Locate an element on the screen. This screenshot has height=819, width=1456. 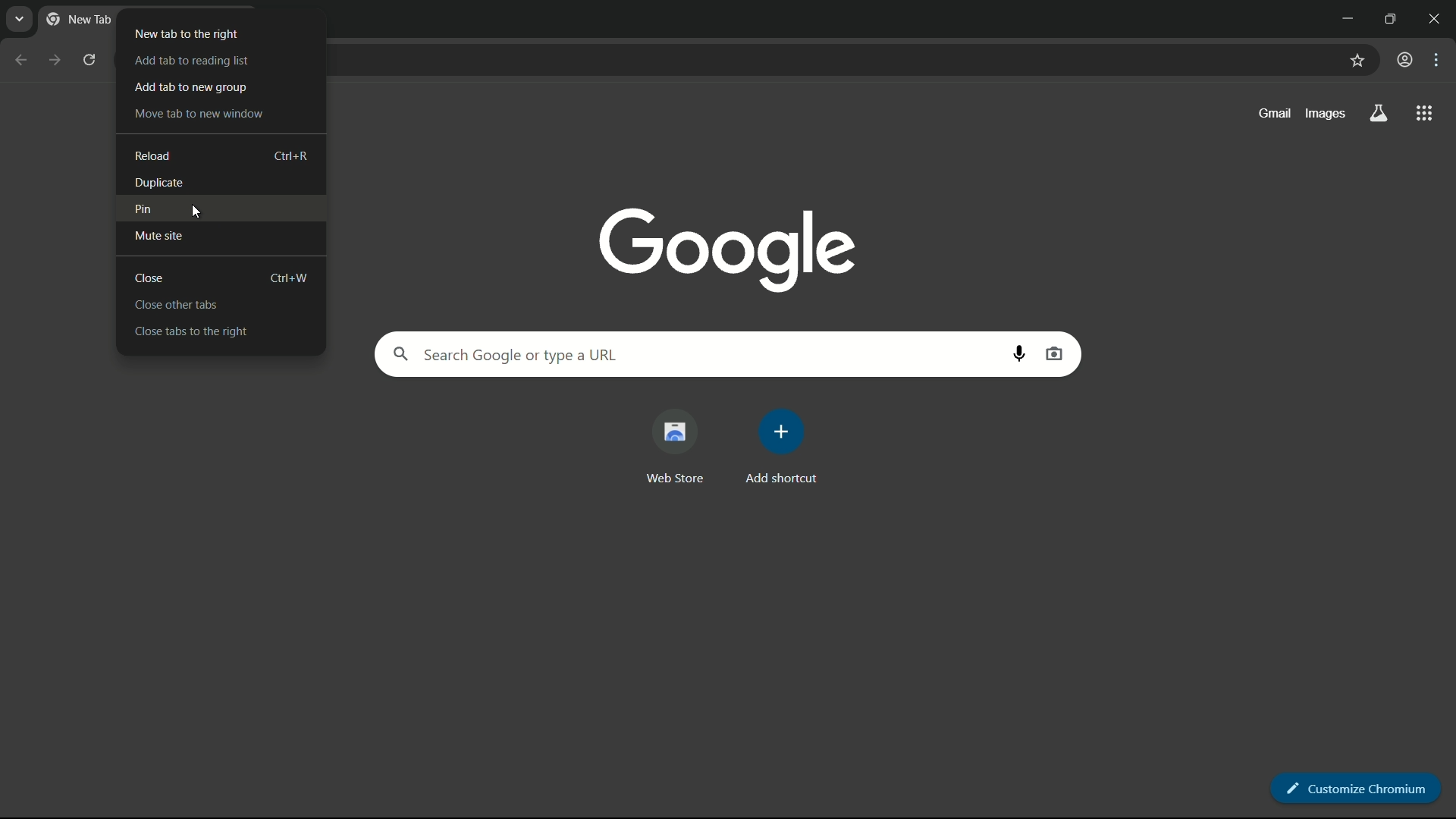
cursor is located at coordinates (194, 210).